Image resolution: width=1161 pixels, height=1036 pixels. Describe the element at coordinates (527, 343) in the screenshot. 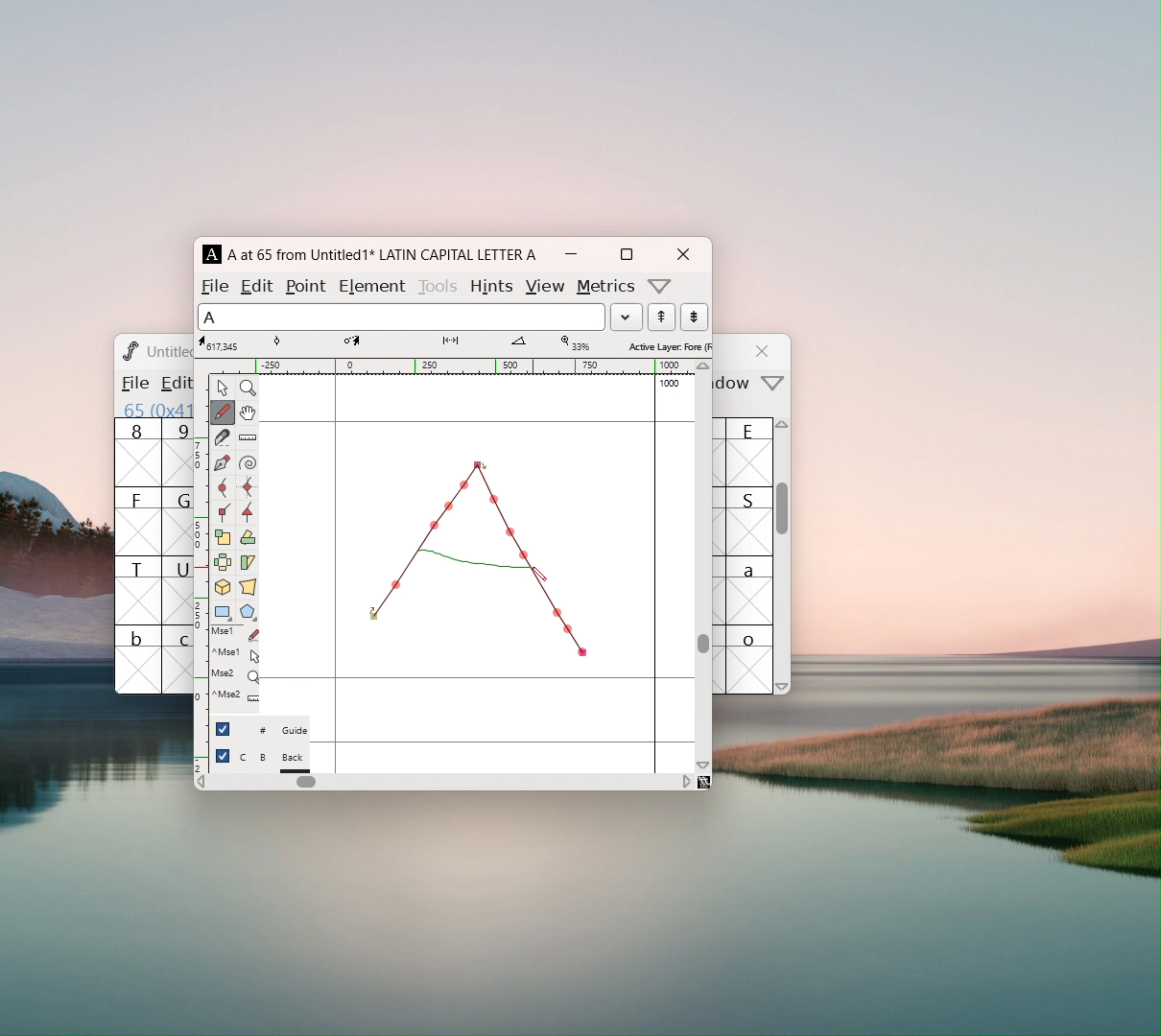

I see `angle` at that location.